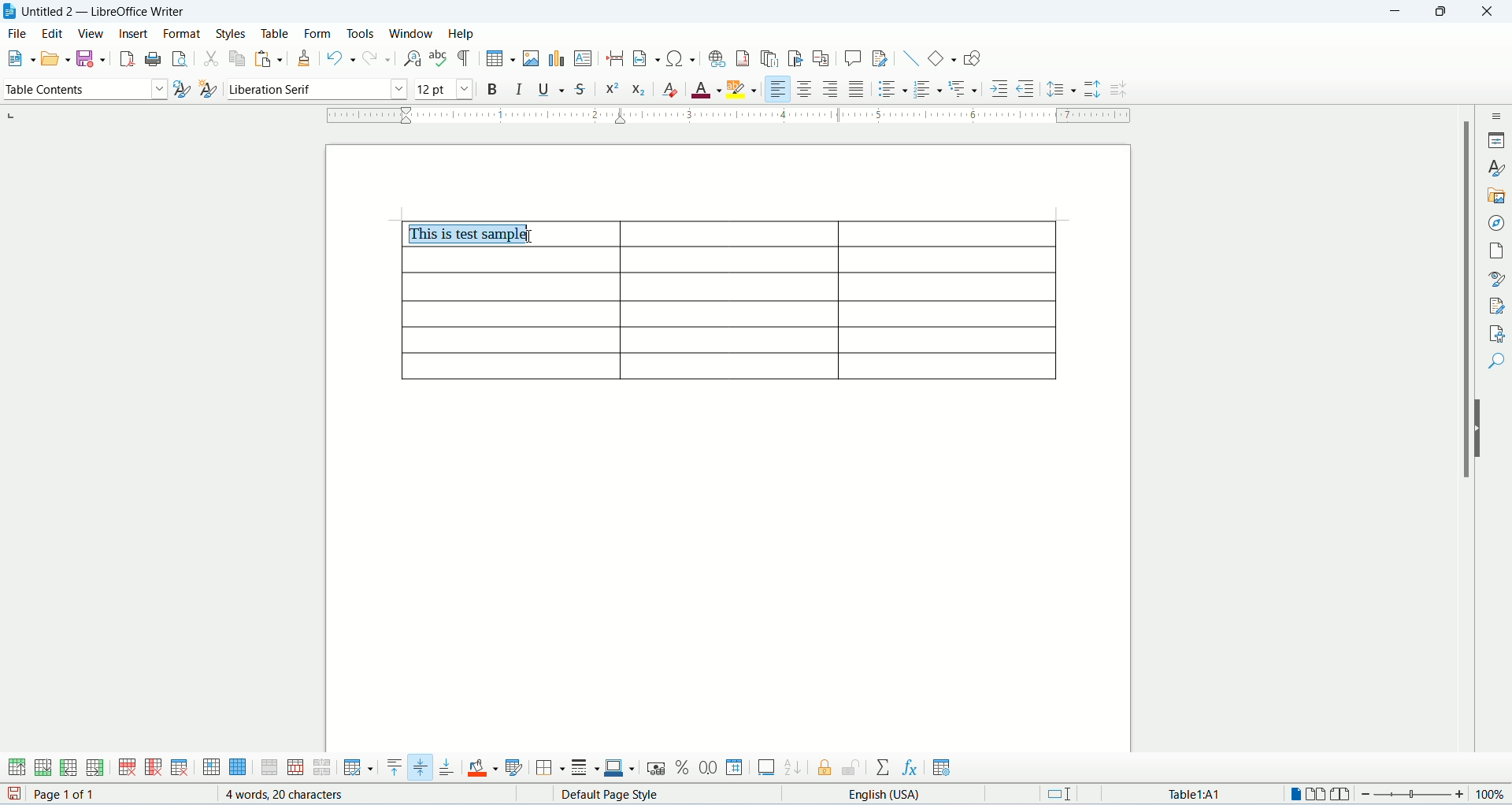 This screenshot has width=1512, height=805. What do you see at coordinates (91, 34) in the screenshot?
I see `view` at bounding box center [91, 34].